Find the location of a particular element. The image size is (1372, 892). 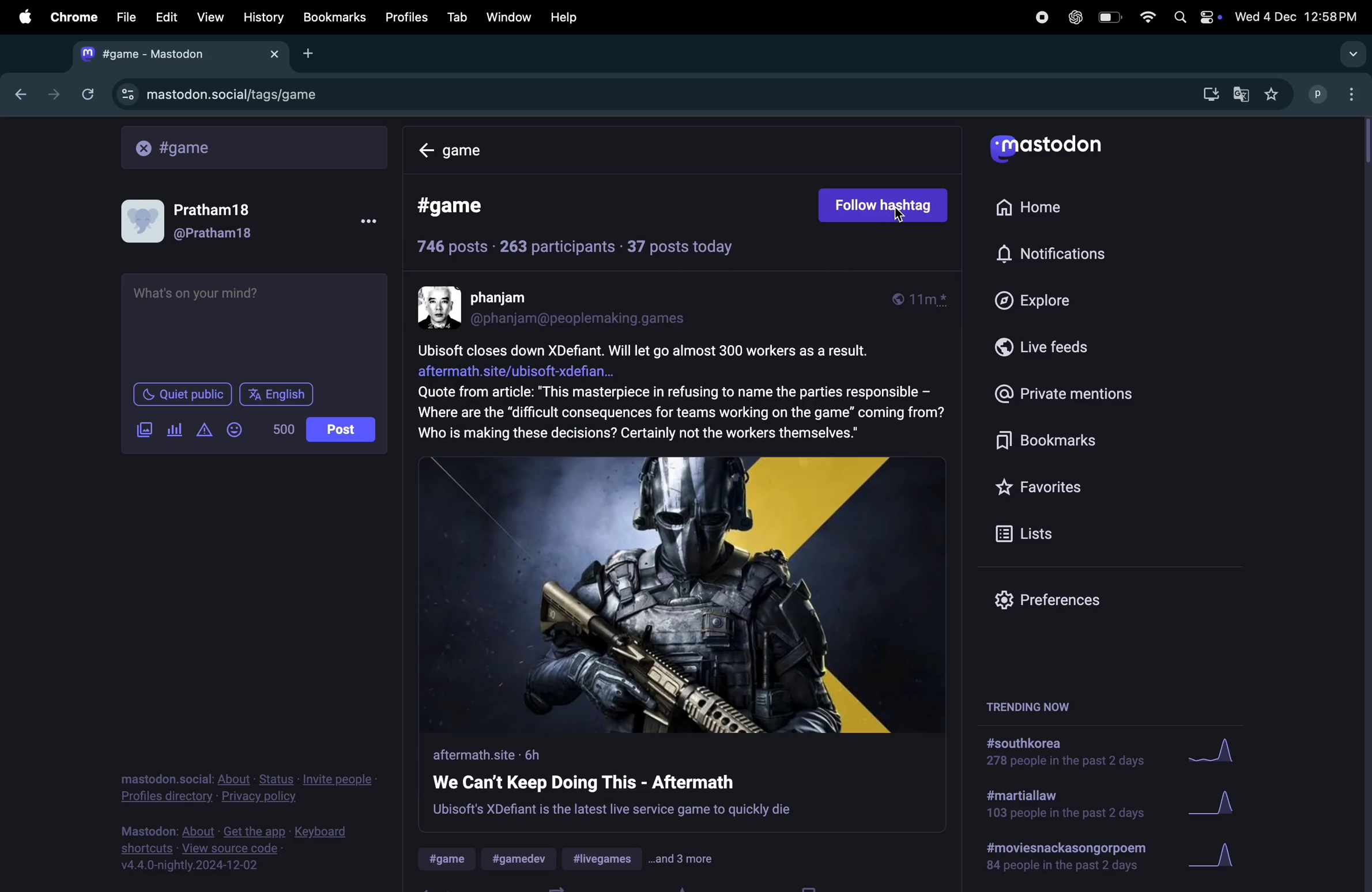

userprofile is located at coordinates (200, 218).